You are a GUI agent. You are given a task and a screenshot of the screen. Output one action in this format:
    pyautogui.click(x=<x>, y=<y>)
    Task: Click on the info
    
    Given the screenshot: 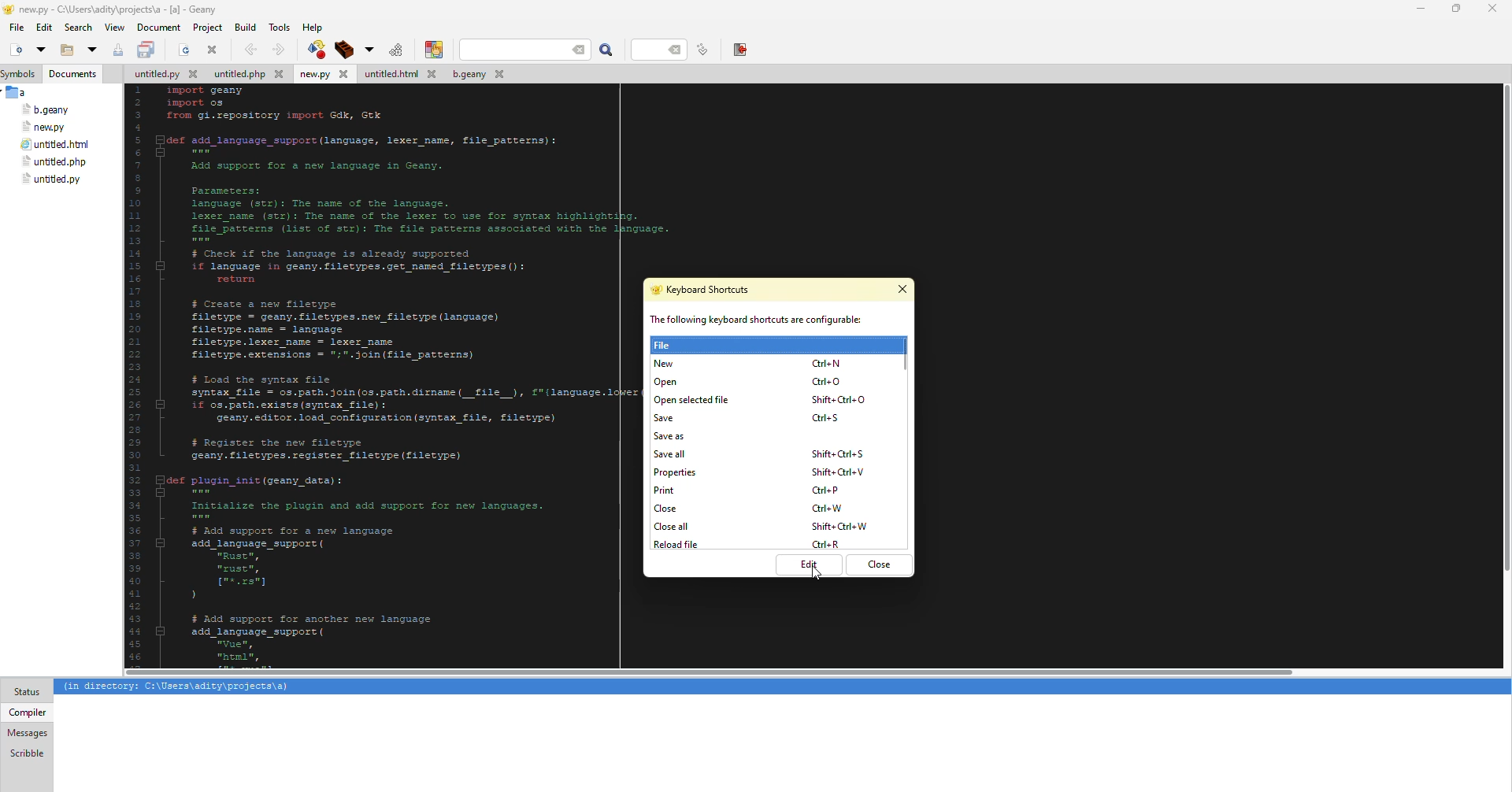 What is the action you would take?
    pyautogui.click(x=761, y=321)
    